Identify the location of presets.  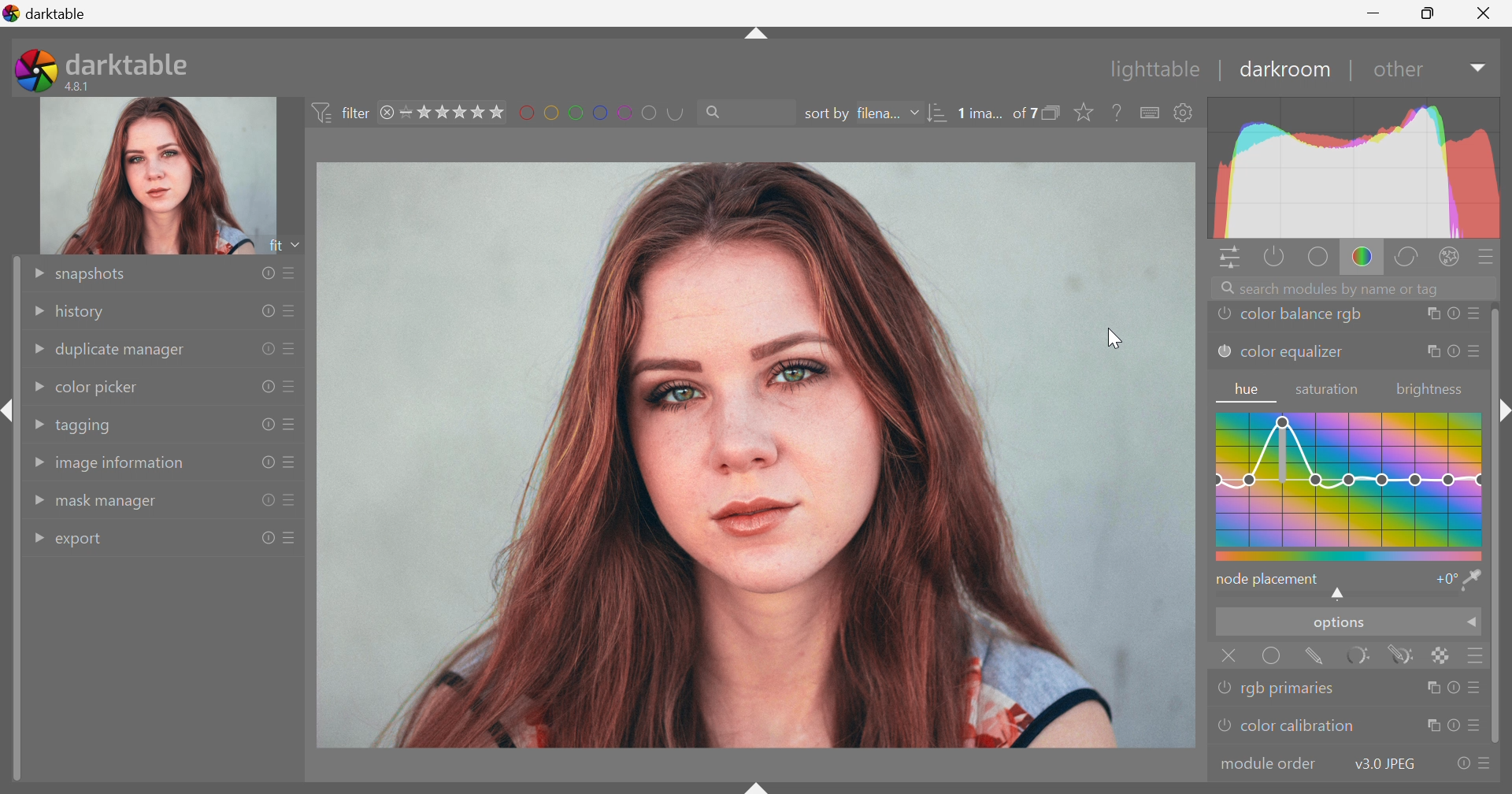
(291, 311).